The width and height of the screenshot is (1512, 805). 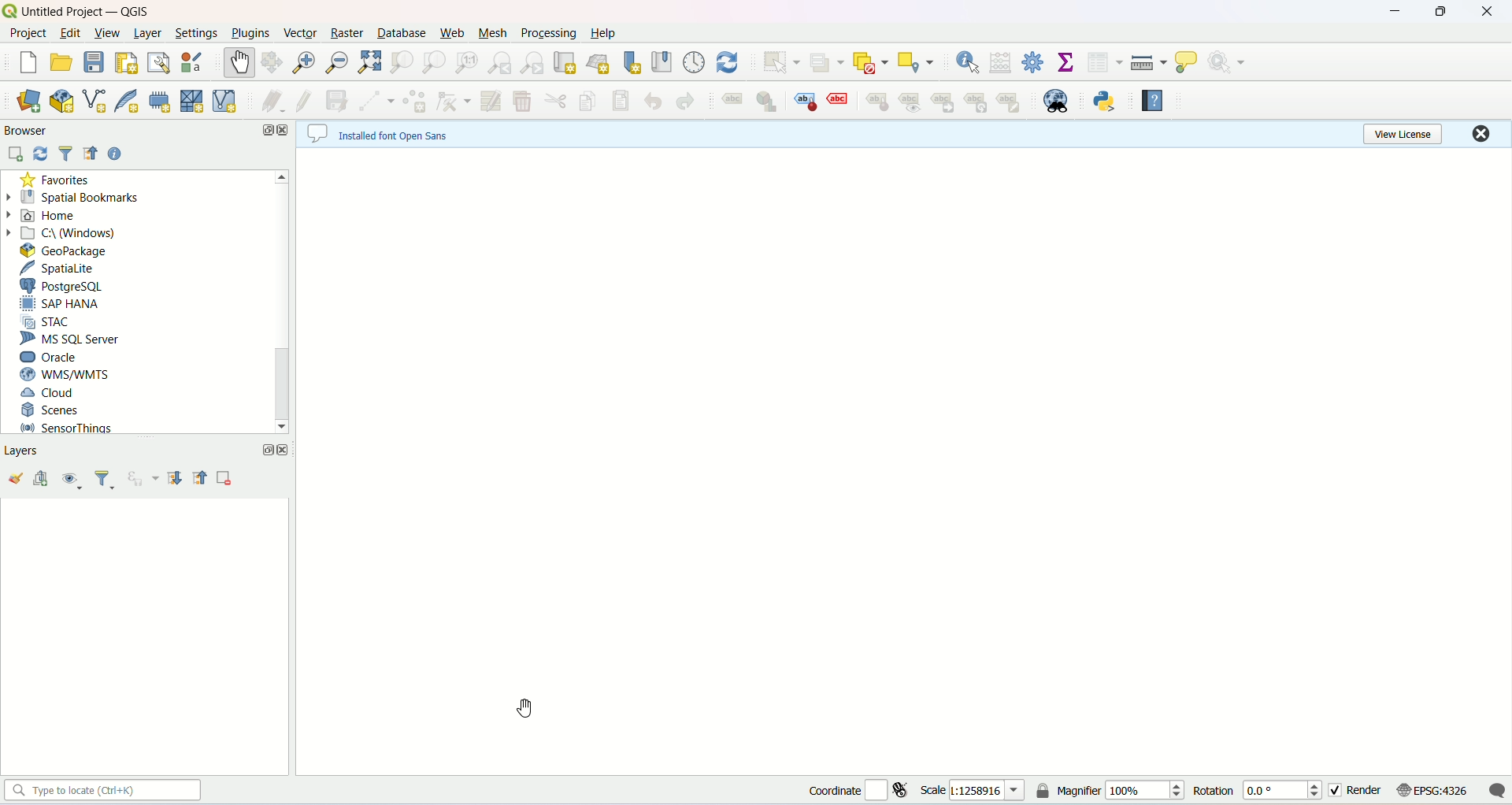 What do you see at coordinates (197, 61) in the screenshot?
I see `style manager` at bounding box center [197, 61].